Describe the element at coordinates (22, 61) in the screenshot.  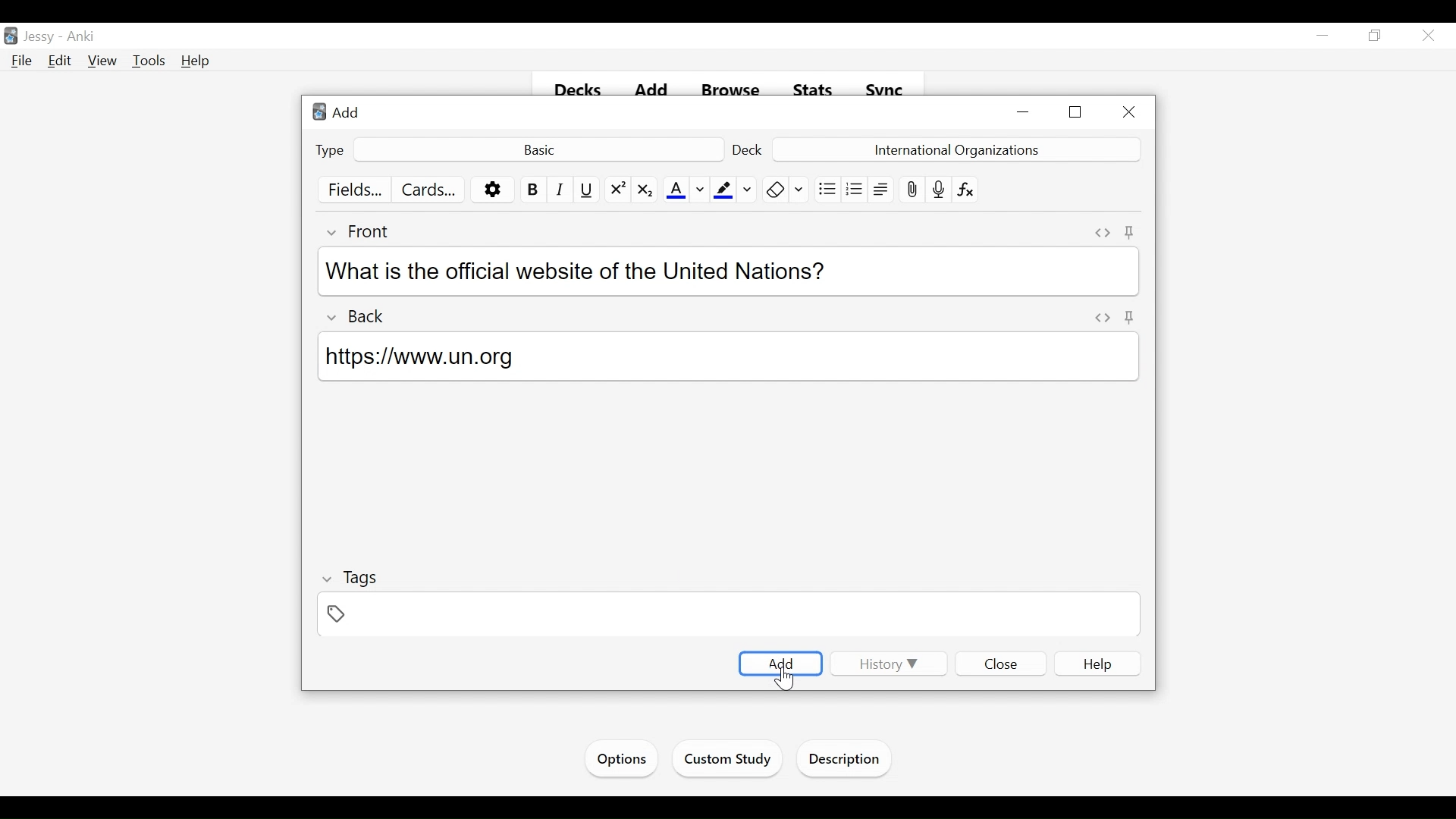
I see `File` at that location.